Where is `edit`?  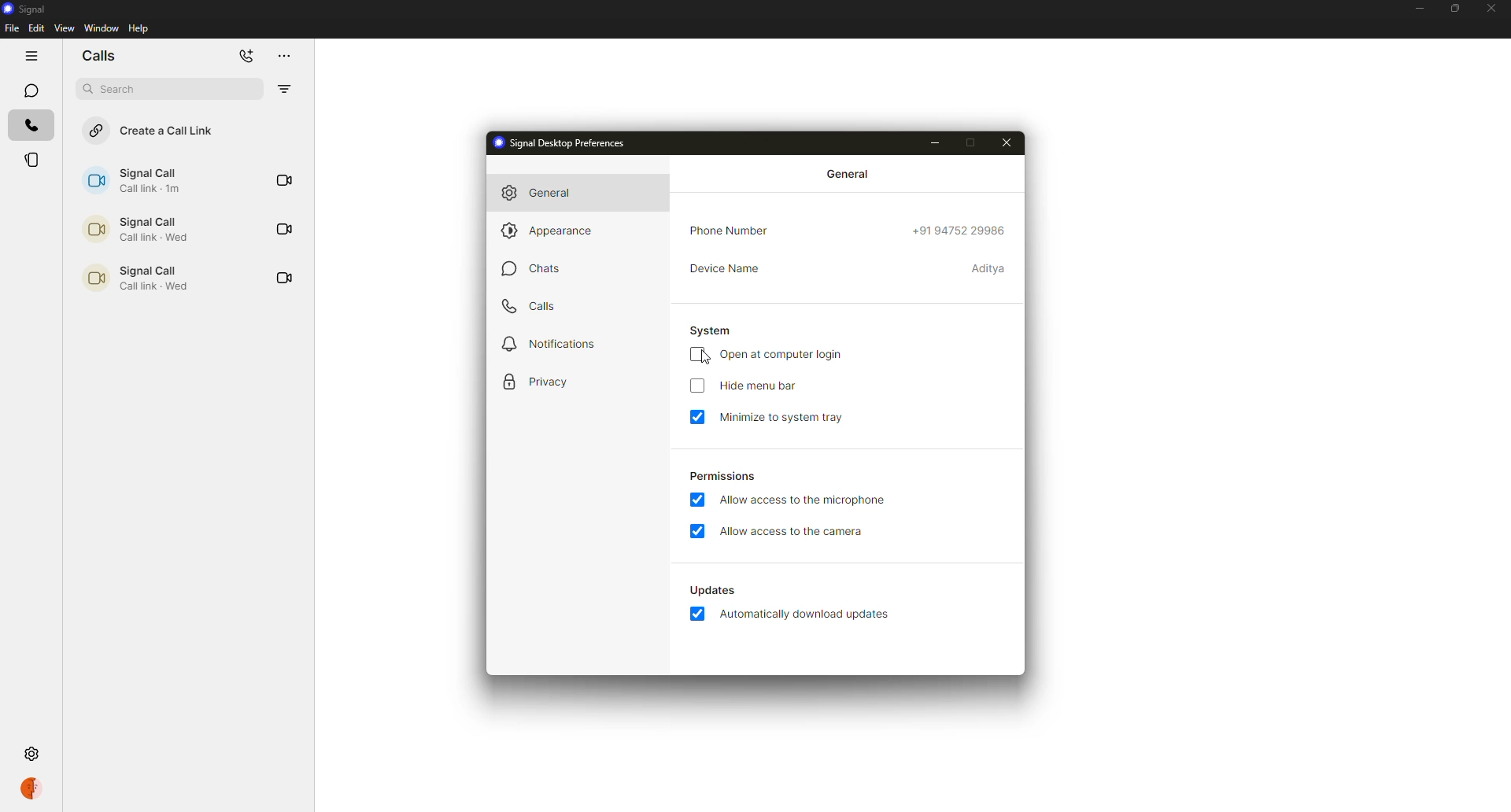
edit is located at coordinates (37, 28).